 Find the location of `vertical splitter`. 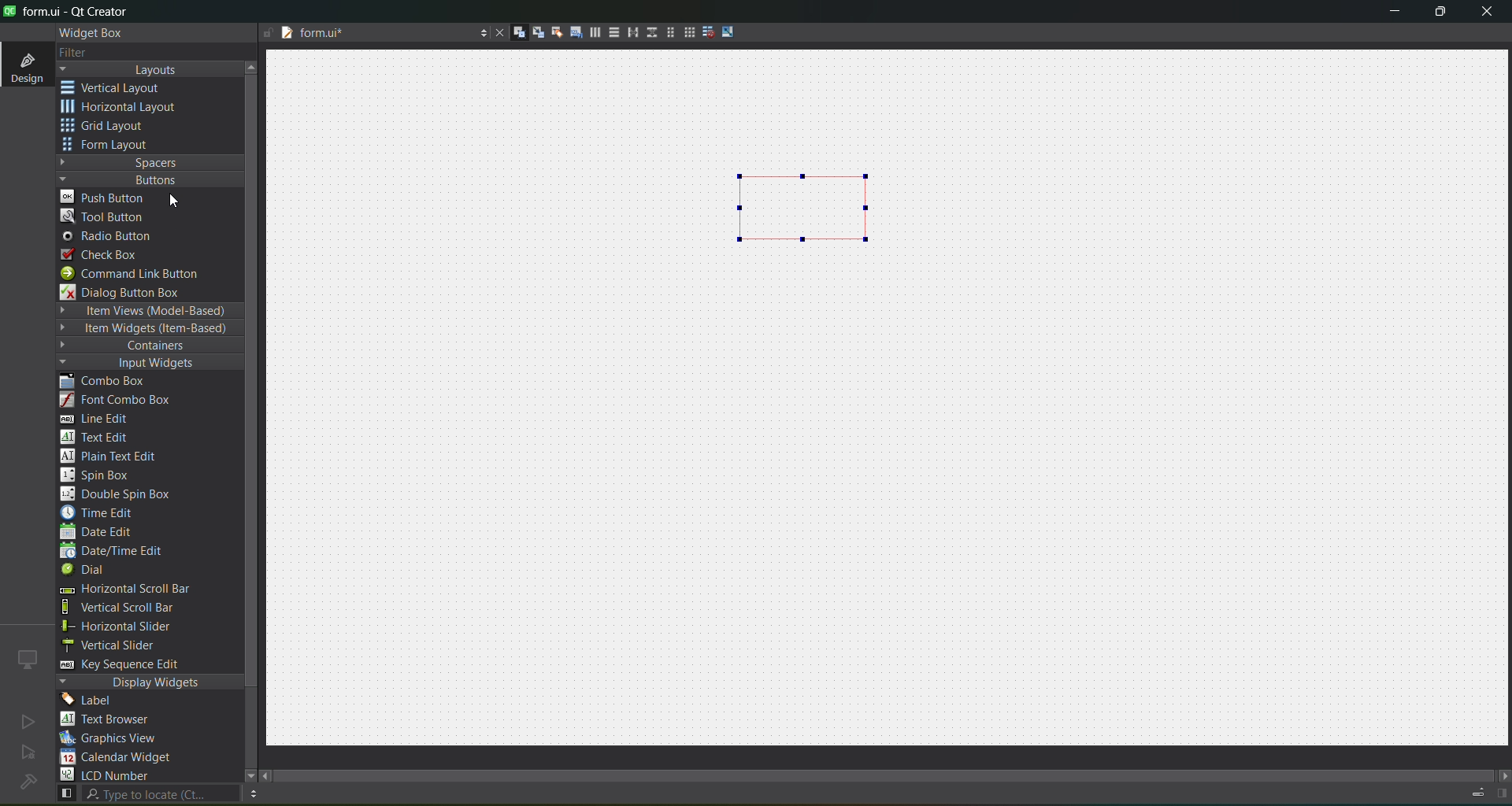

vertical splitter is located at coordinates (650, 35).